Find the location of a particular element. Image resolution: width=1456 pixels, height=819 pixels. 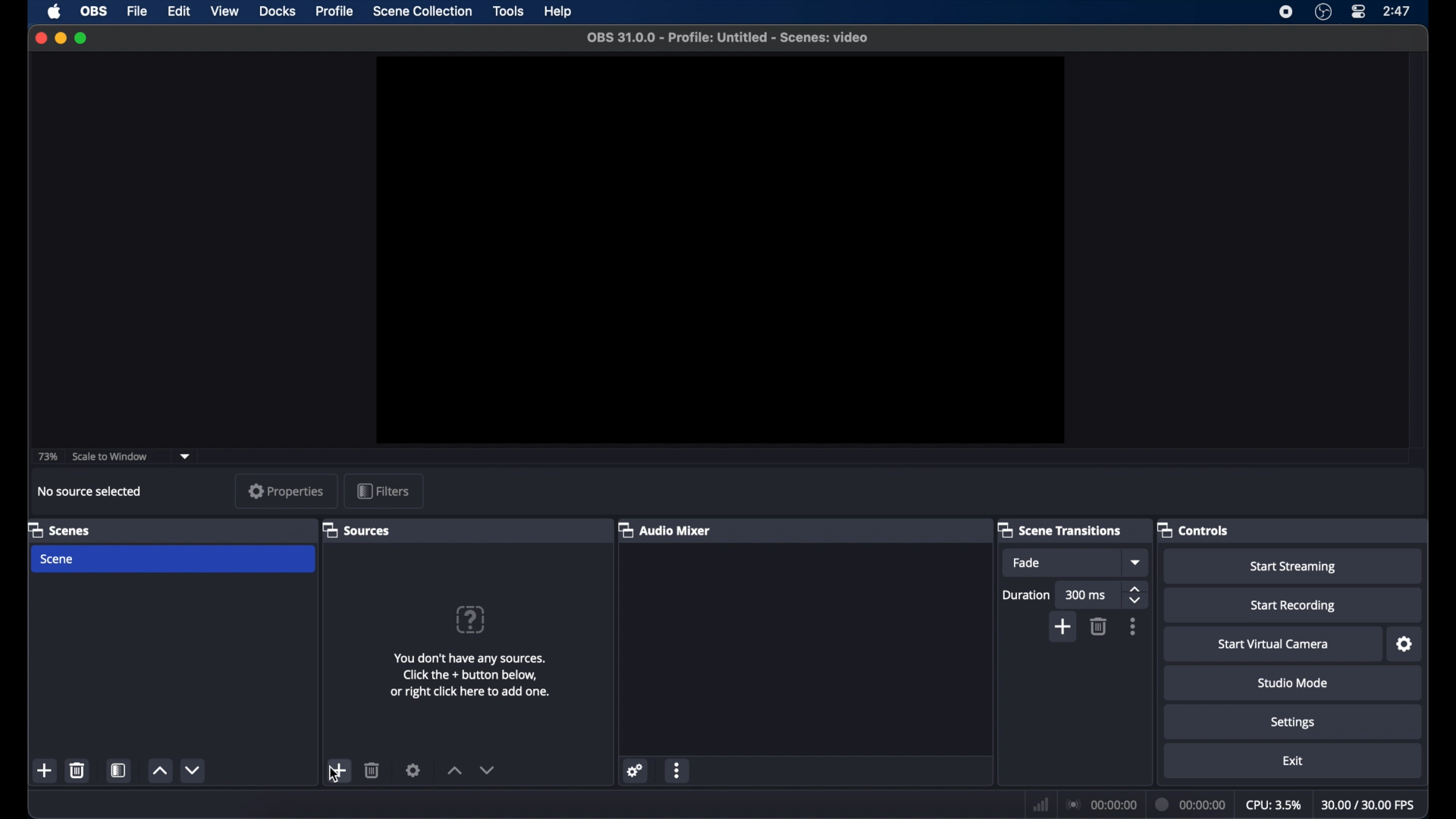

maximize is located at coordinates (82, 39).